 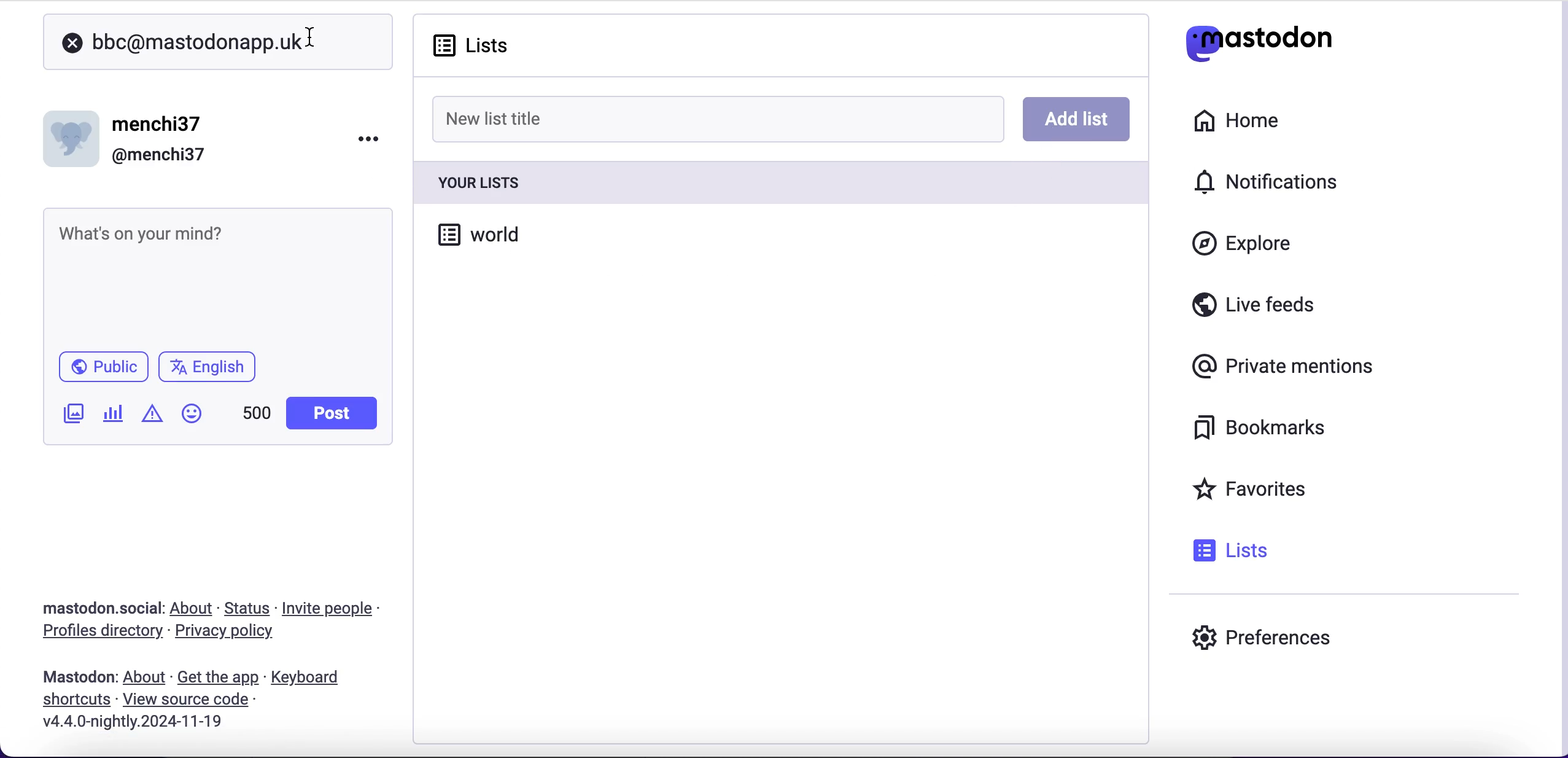 What do you see at coordinates (335, 413) in the screenshot?
I see `post button` at bounding box center [335, 413].